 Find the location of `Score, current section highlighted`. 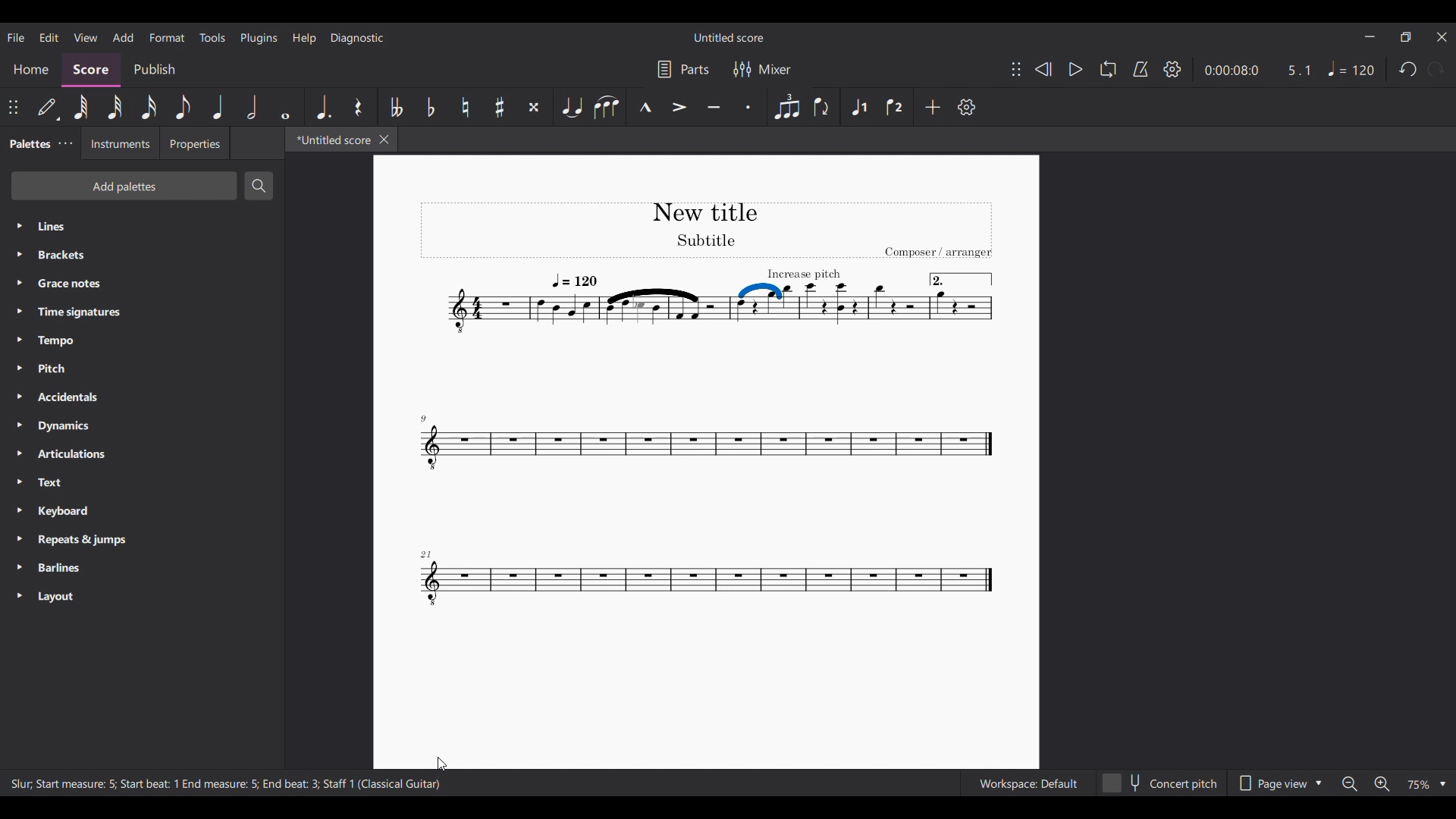

Score, current section highlighted is located at coordinates (92, 71).